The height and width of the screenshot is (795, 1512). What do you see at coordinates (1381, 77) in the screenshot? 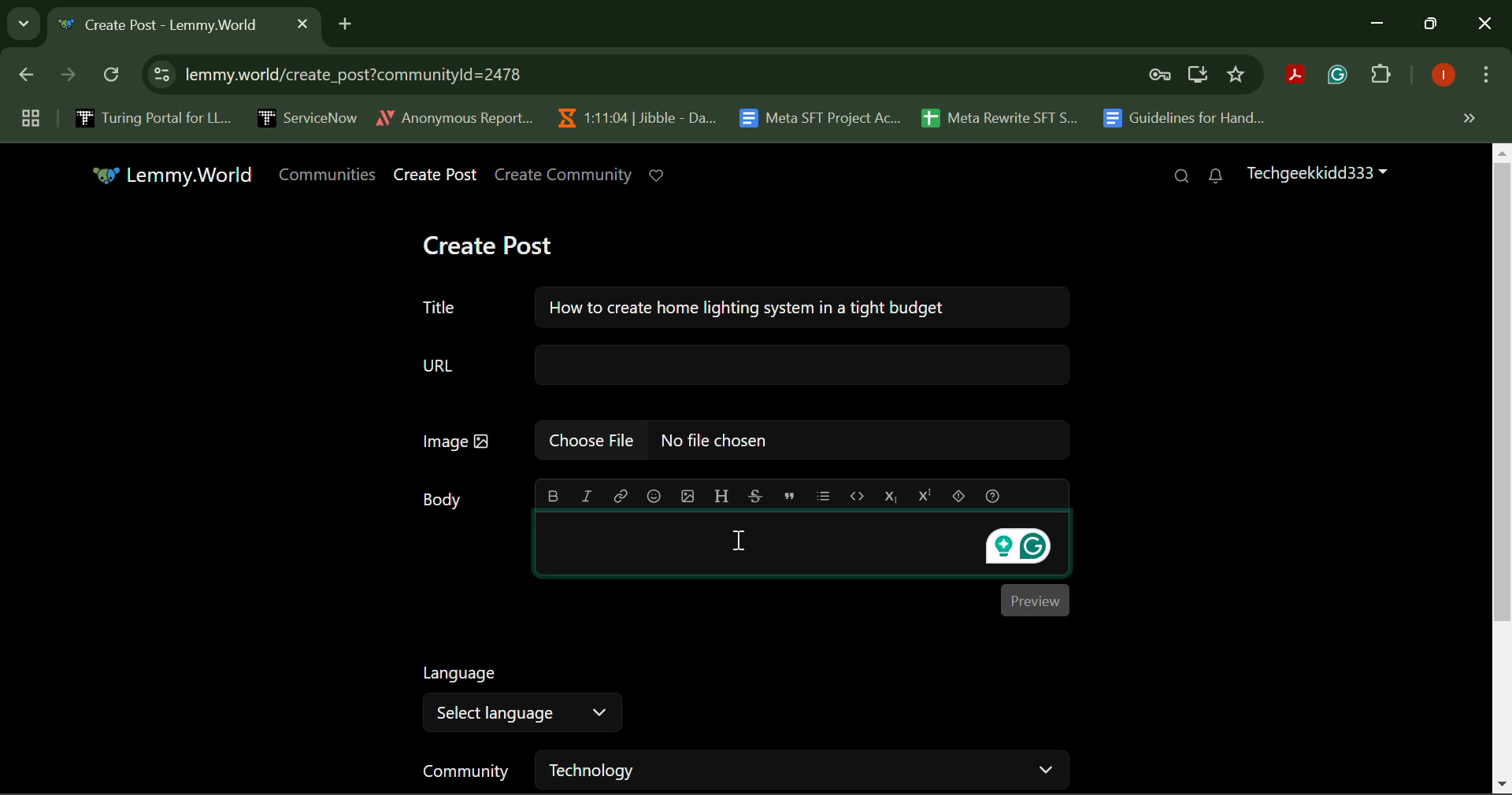
I see `Plugins` at bounding box center [1381, 77].